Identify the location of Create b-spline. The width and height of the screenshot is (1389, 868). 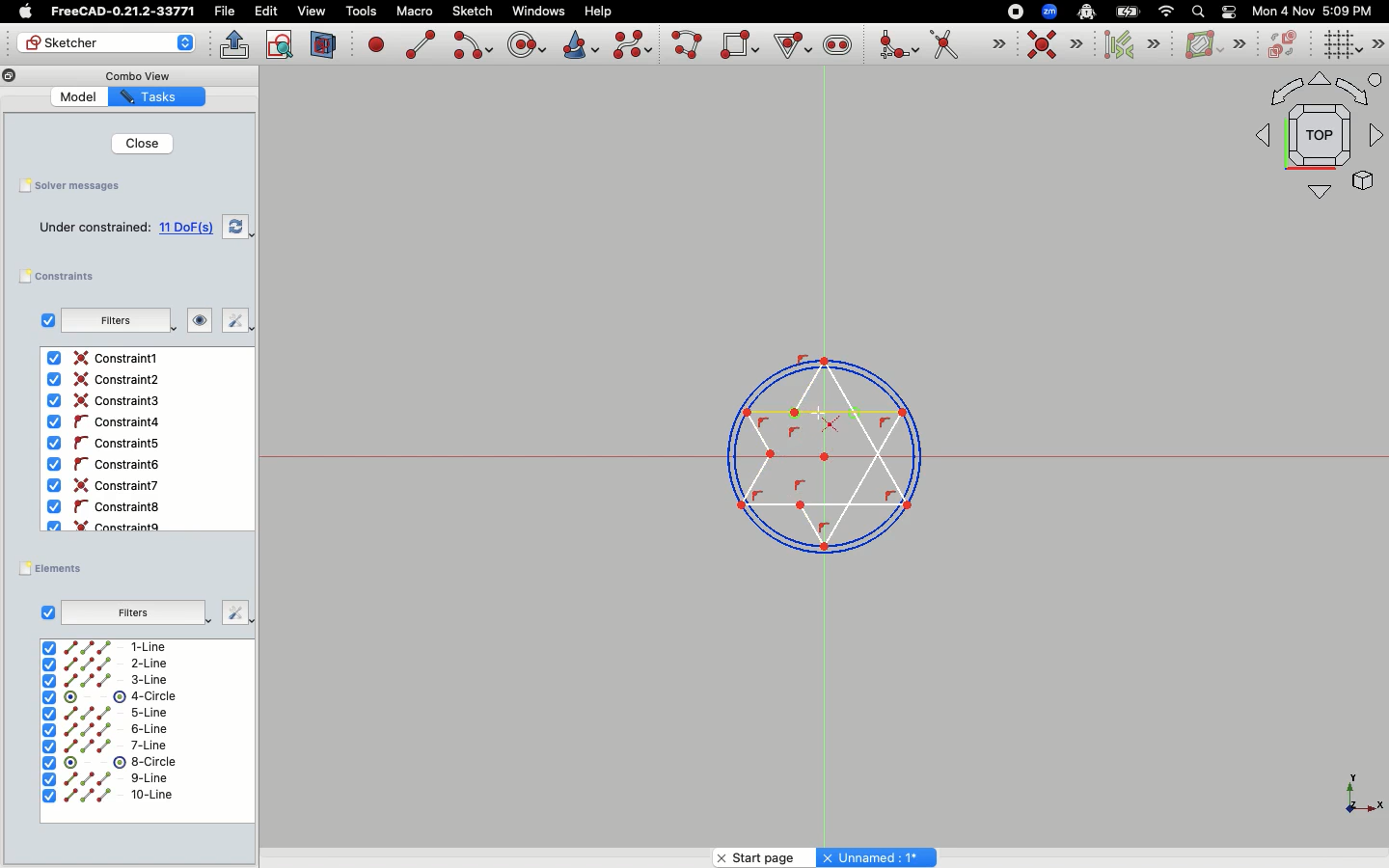
(633, 44).